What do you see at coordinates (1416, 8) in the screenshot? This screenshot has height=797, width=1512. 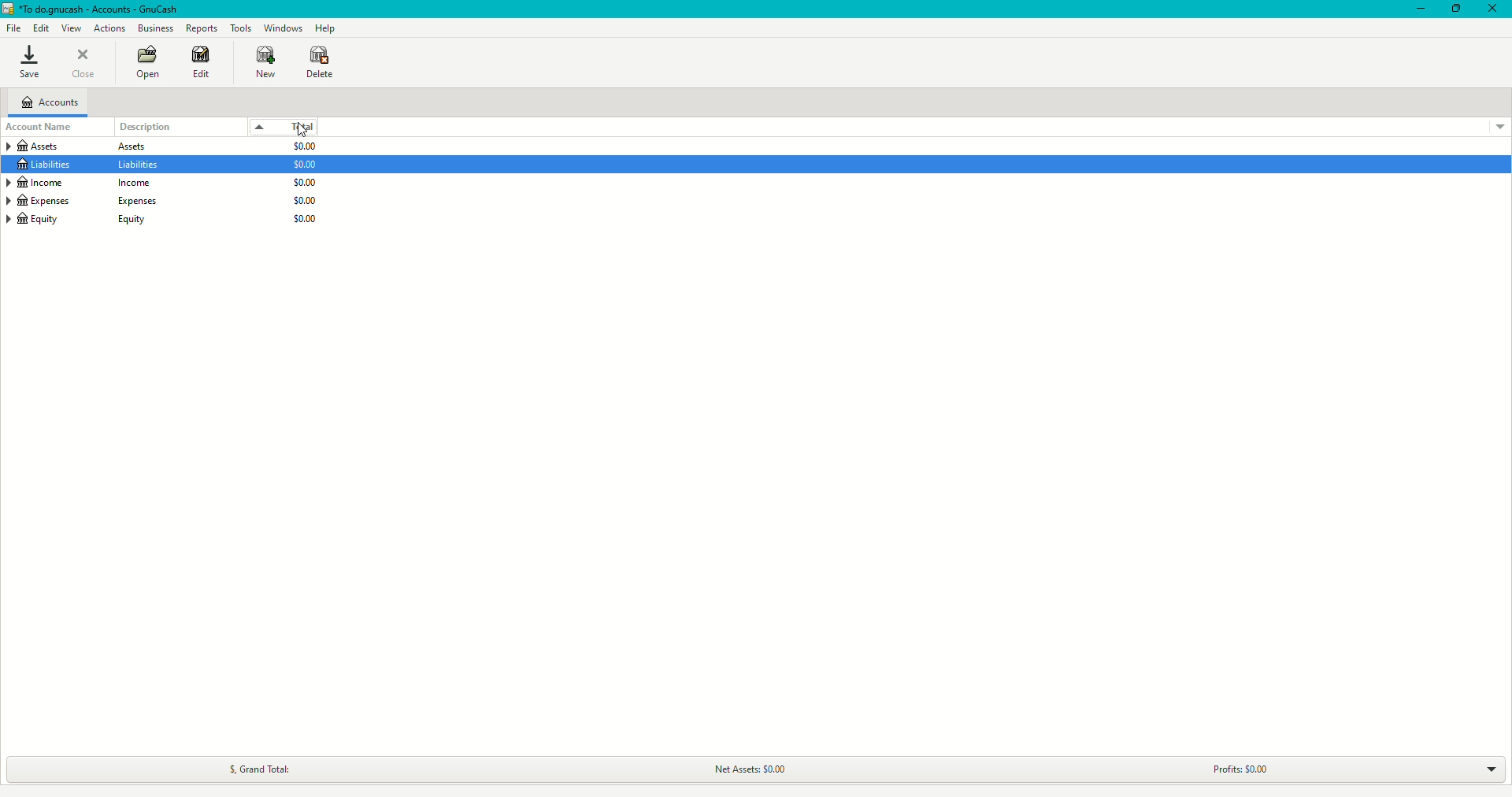 I see `Minimize` at bounding box center [1416, 8].